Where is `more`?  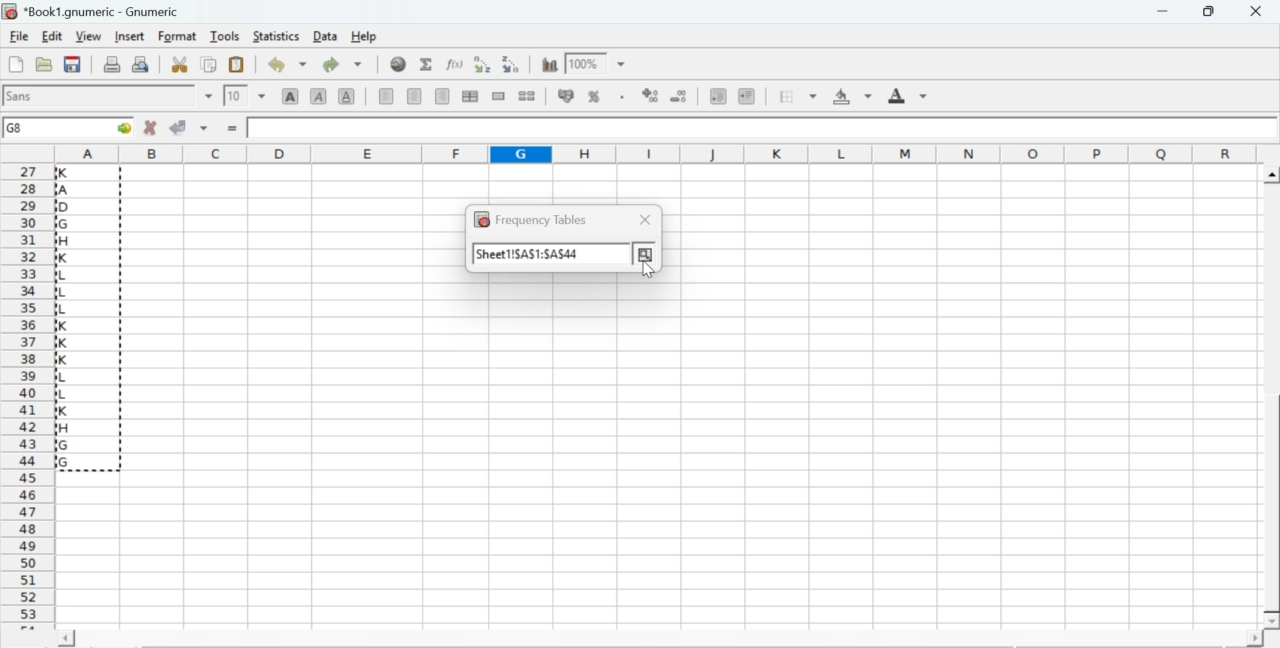 more is located at coordinates (646, 254).